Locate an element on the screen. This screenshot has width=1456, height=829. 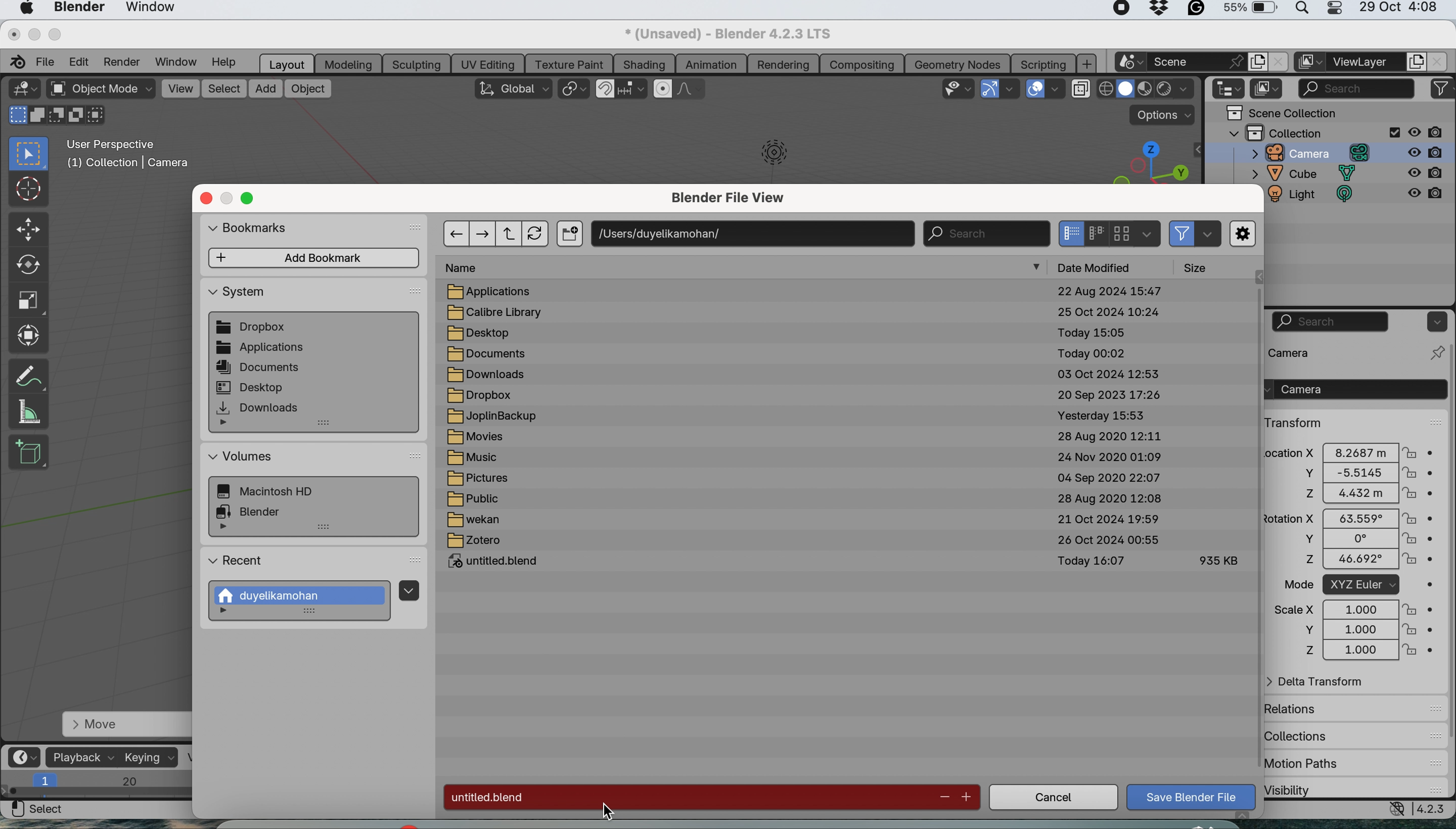
next folder is located at coordinates (484, 232).